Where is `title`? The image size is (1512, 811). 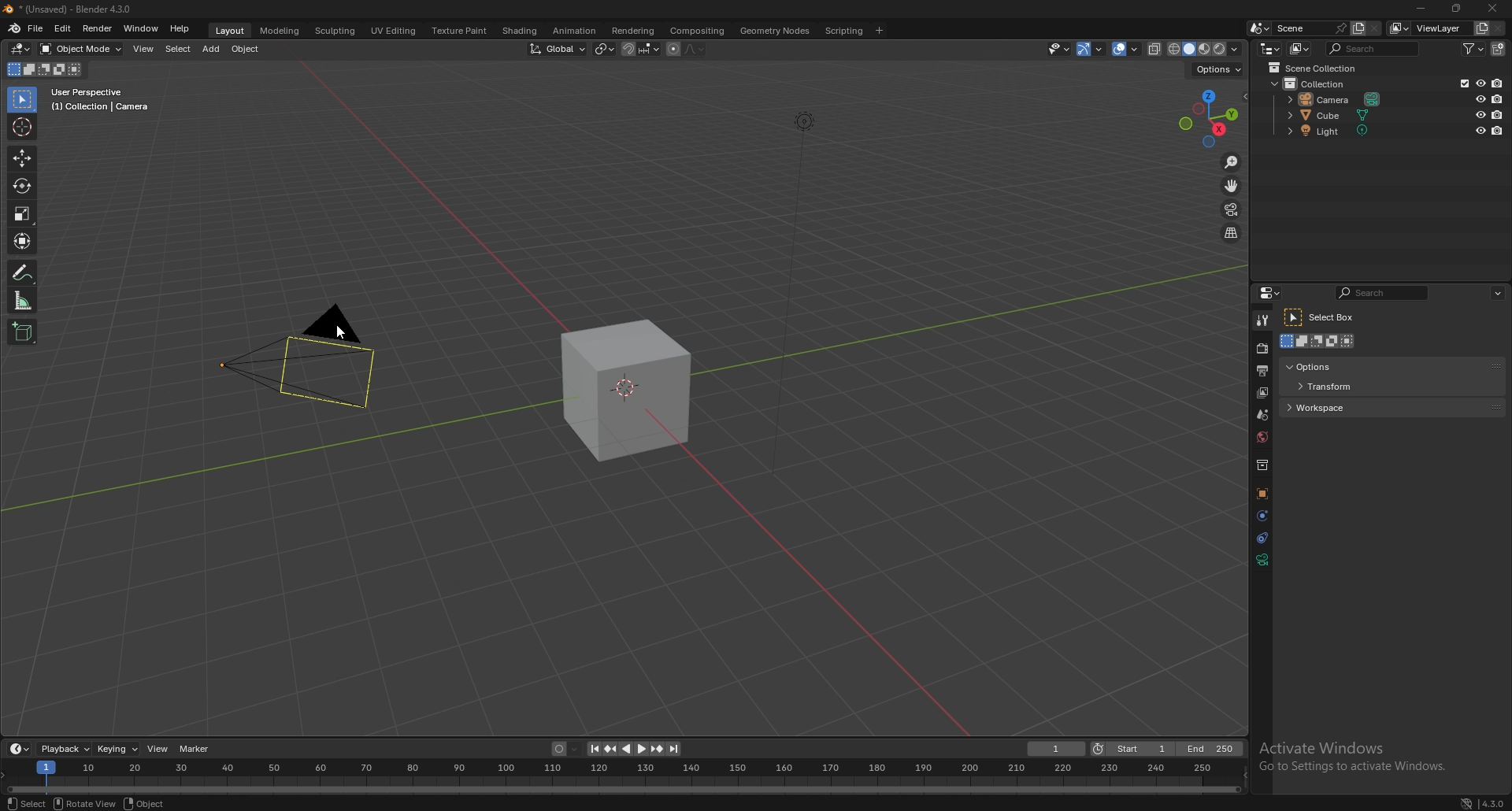
title is located at coordinates (72, 9).